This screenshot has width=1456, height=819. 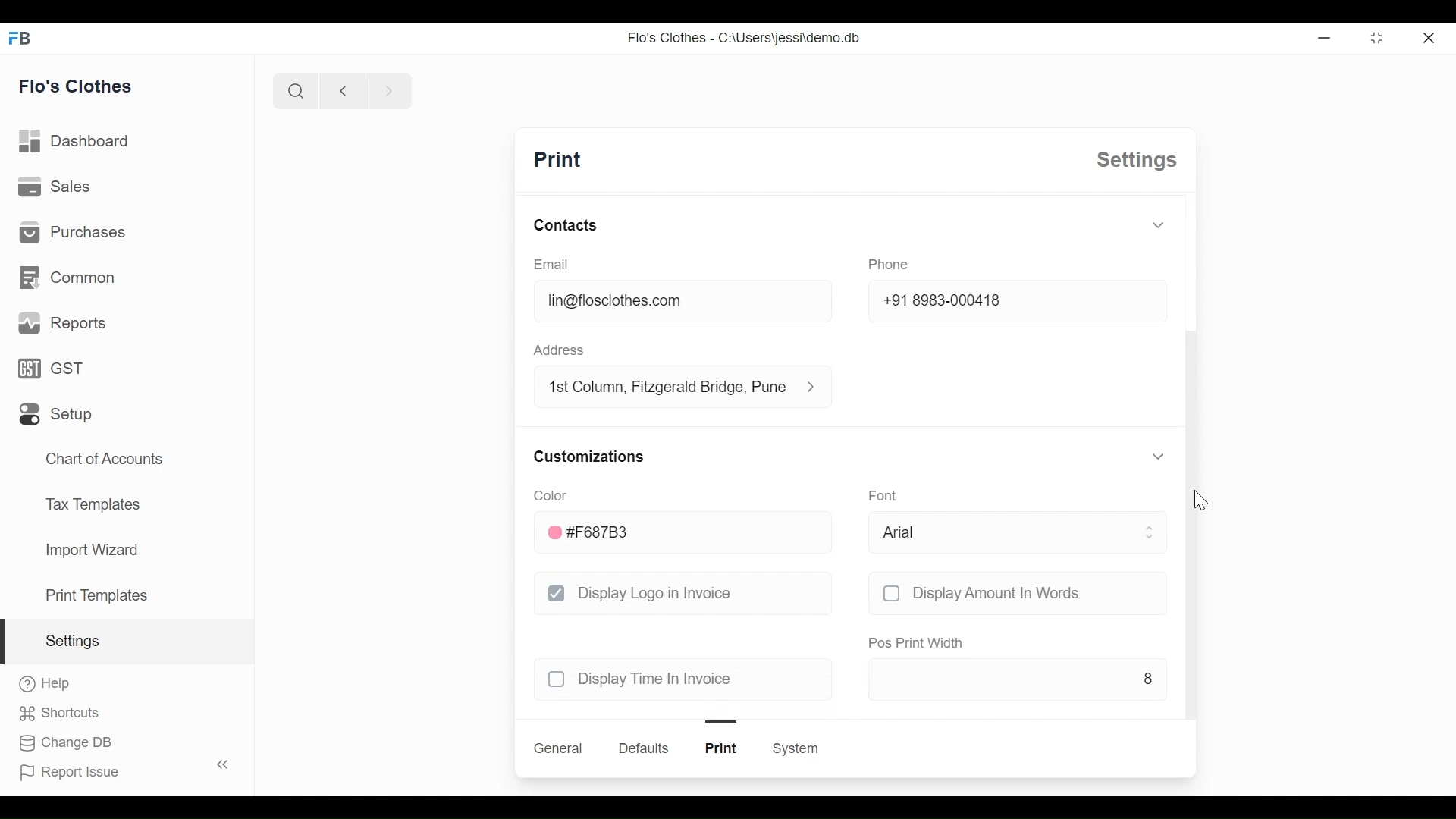 What do you see at coordinates (553, 264) in the screenshot?
I see `email` at bounding box center [553, 264].